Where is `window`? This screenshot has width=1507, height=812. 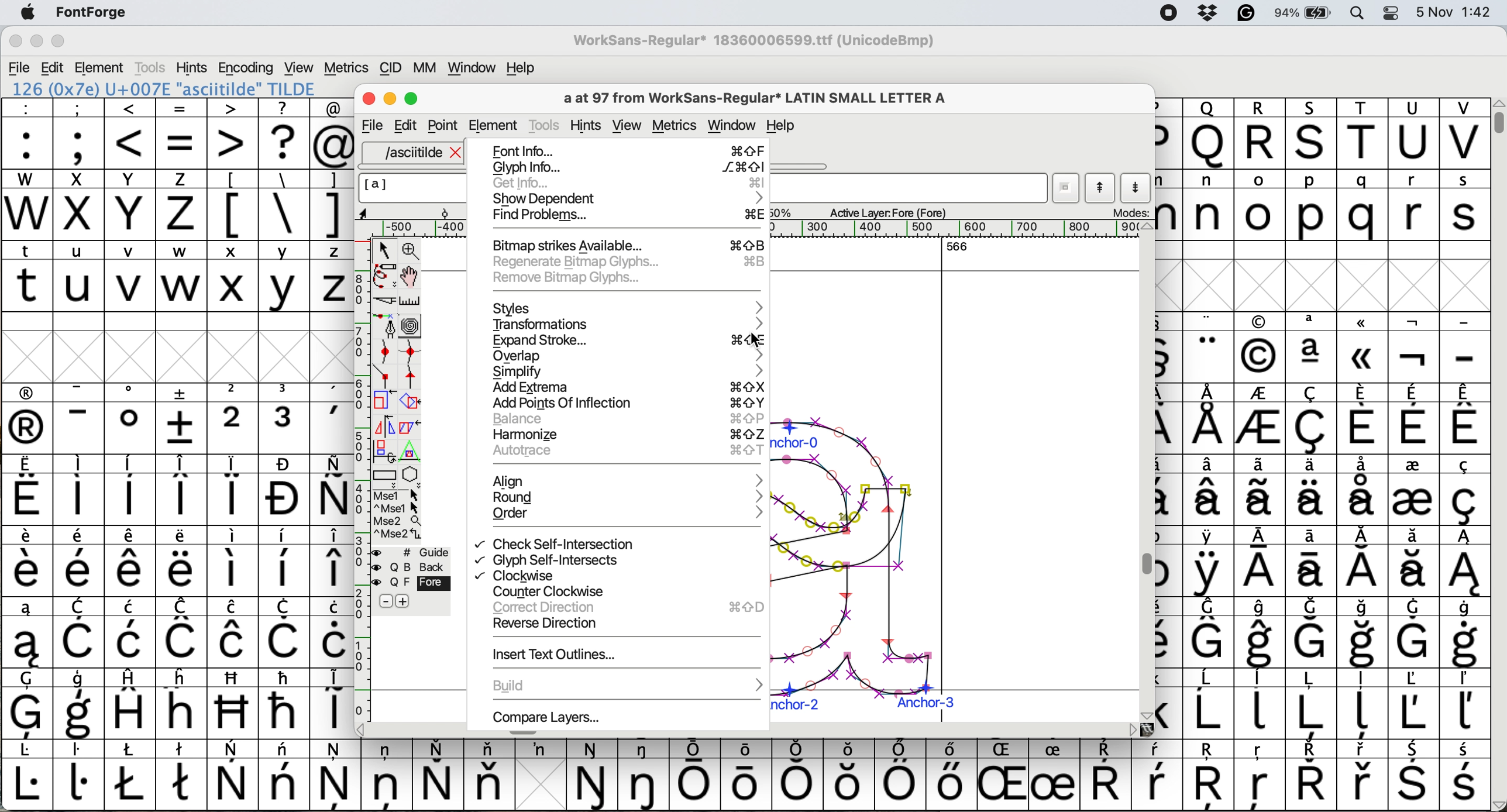
window is located at coordinates (469, 68).